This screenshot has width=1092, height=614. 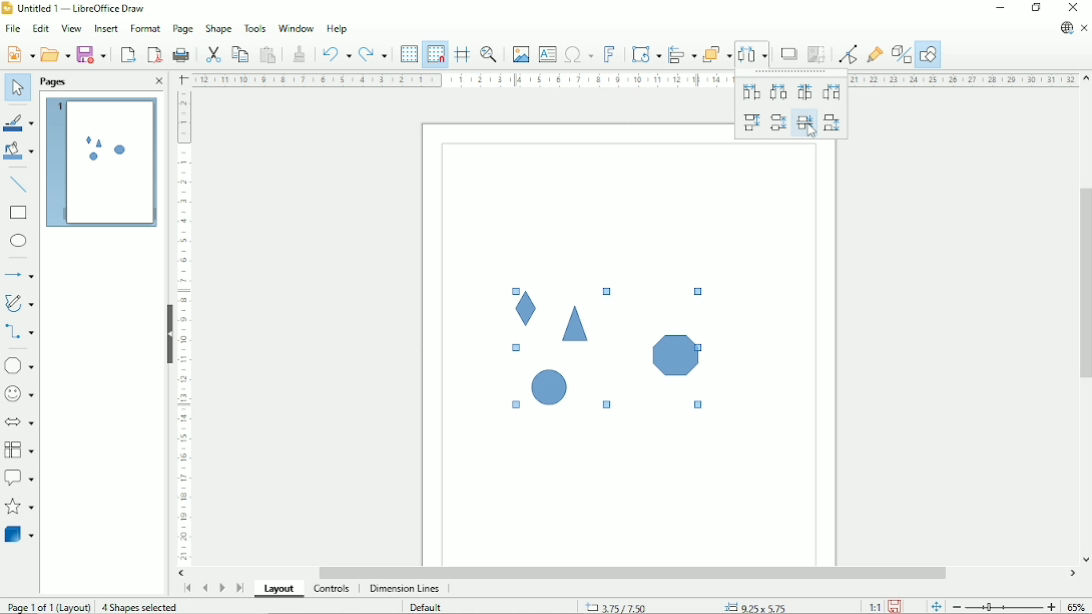 I want to click on Horizontal scroll button, so click(x=1073, y=573).